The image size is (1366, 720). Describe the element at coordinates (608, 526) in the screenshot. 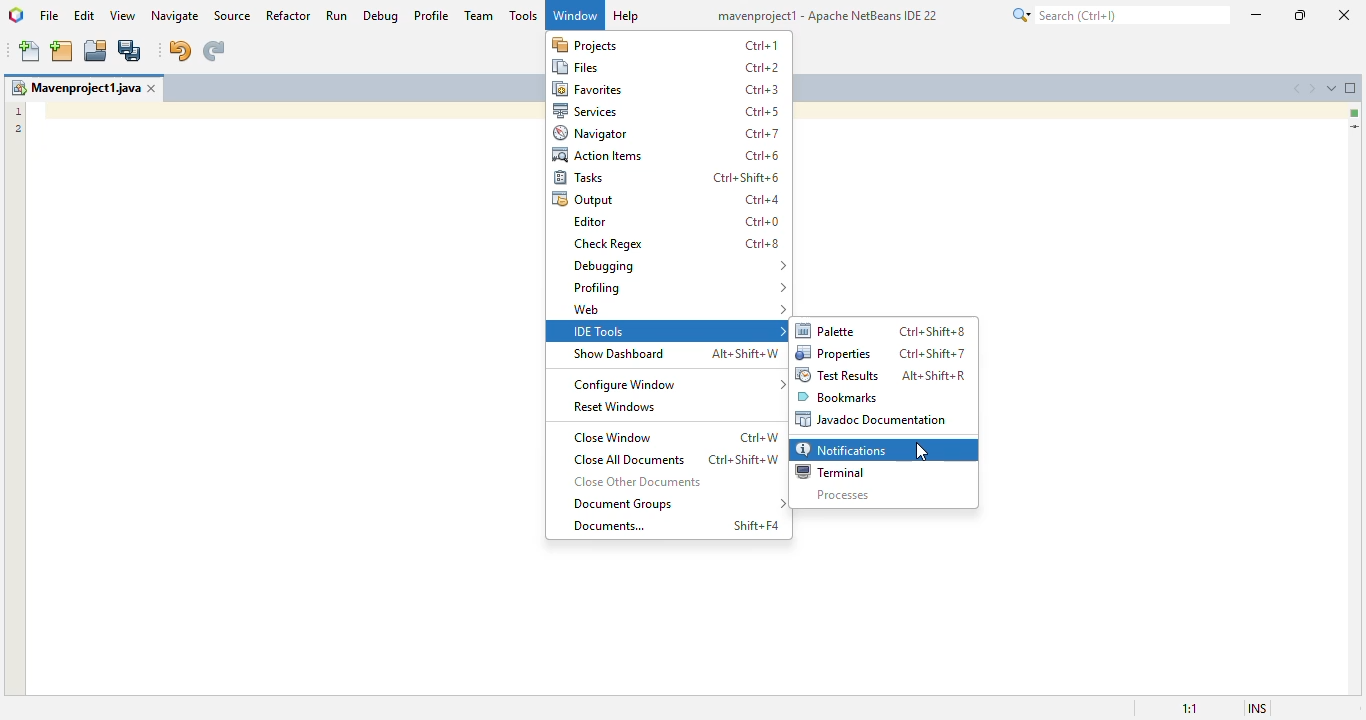

I see `documents` at that location.